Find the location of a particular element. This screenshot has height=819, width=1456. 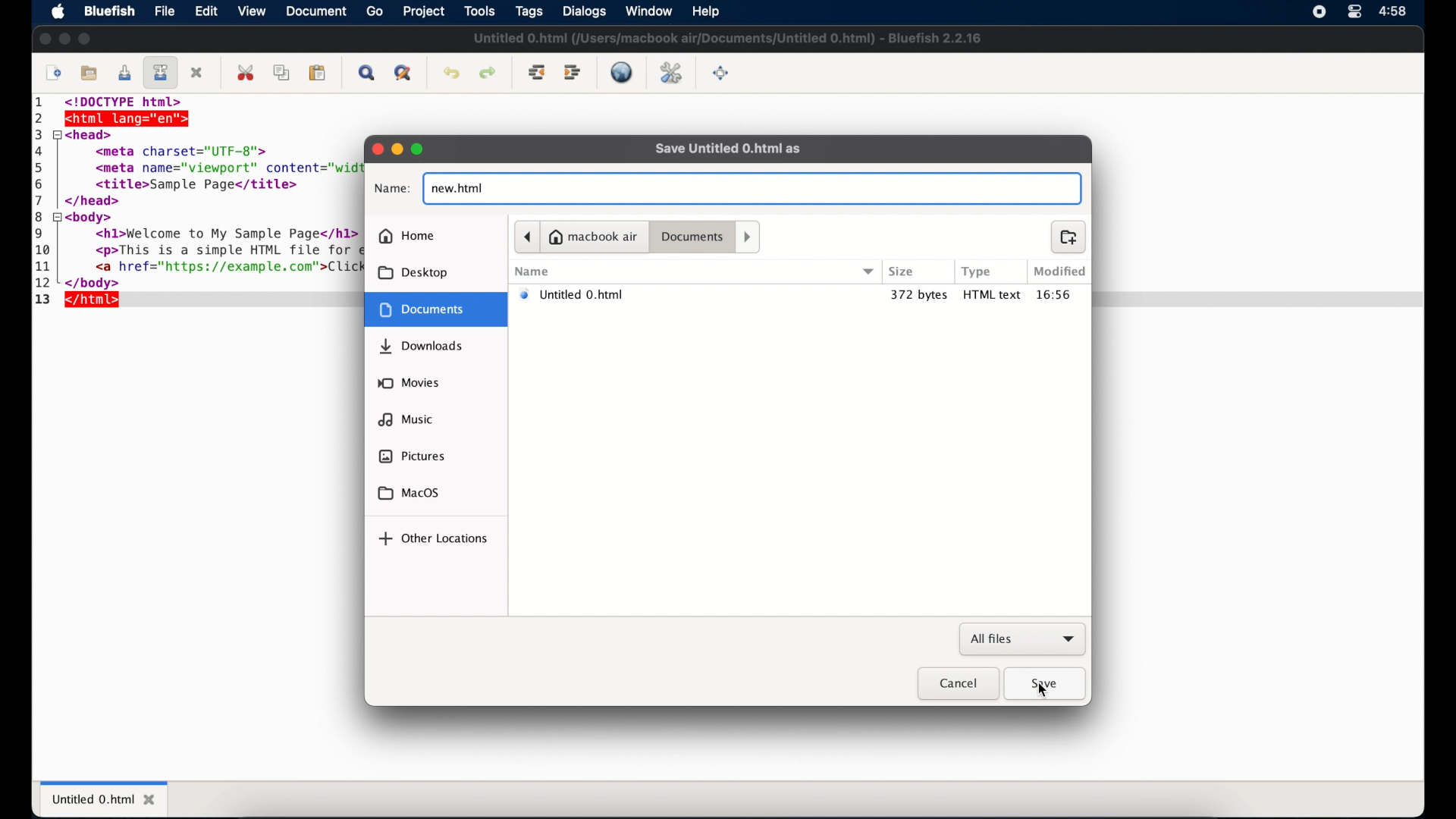

desktop is located at coordinates (413, 273).